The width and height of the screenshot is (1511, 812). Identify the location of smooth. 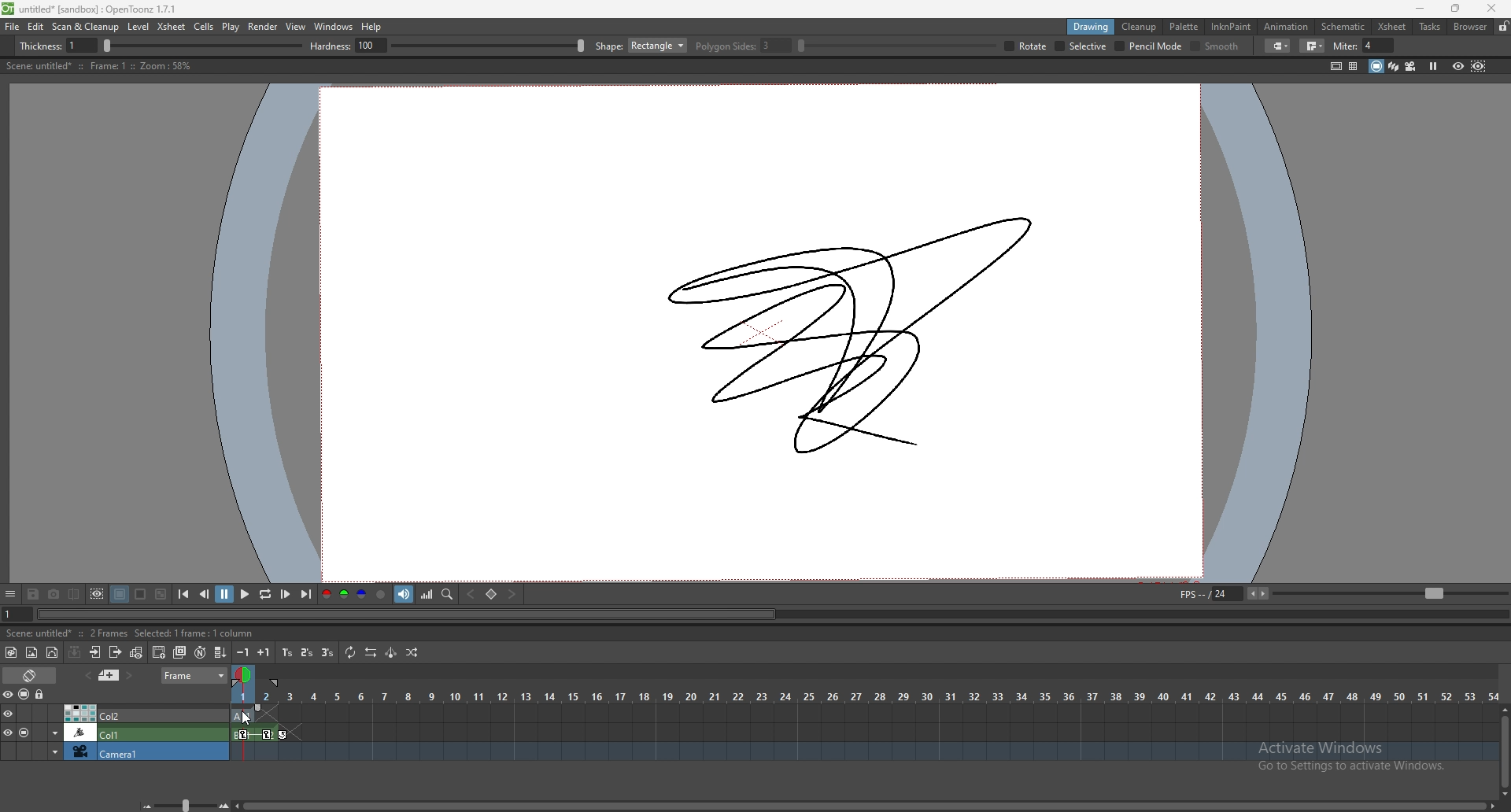
(1217, 47).